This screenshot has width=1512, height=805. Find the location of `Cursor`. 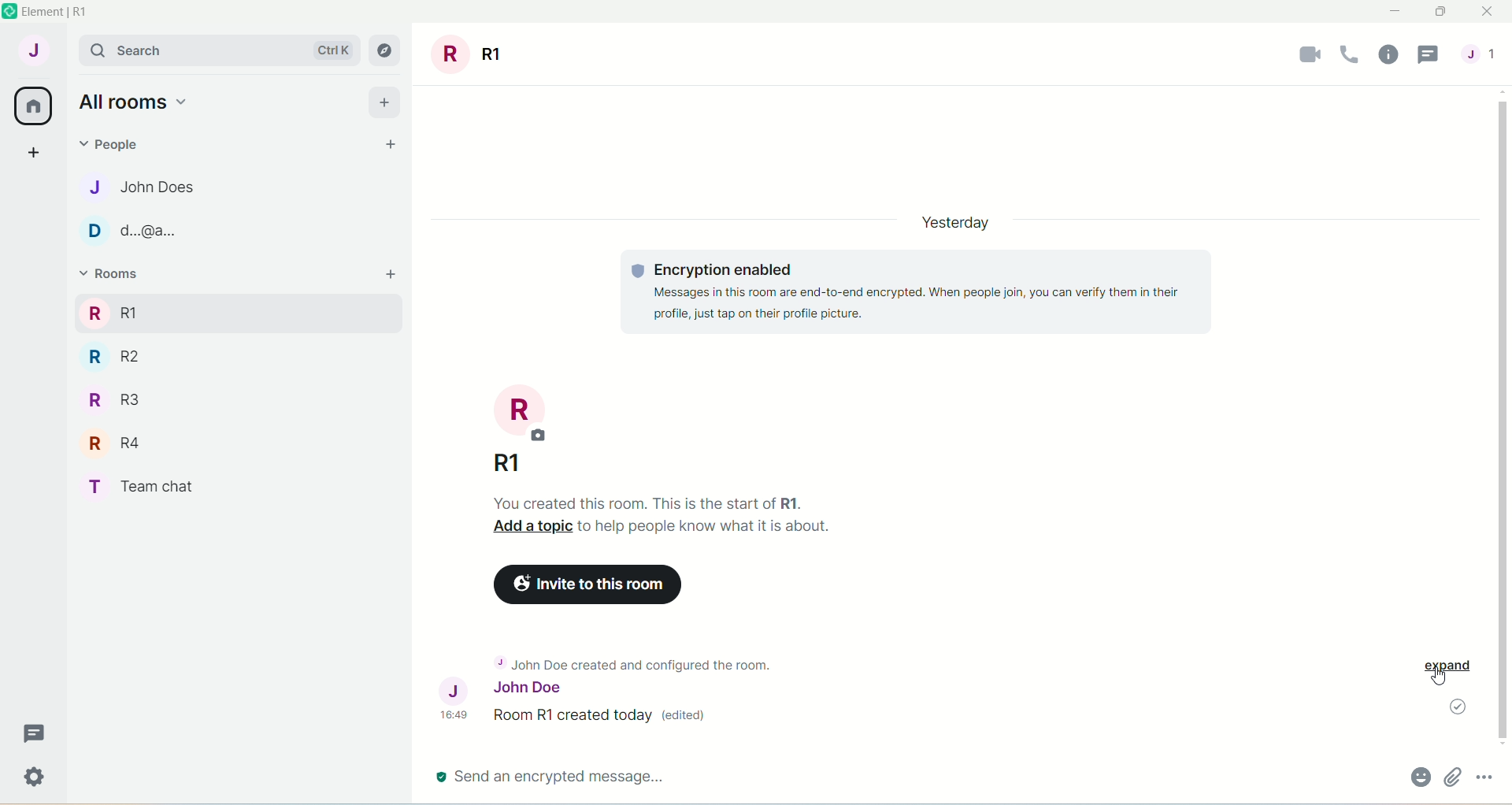

Cursor is located at coordinates (1438, 679).